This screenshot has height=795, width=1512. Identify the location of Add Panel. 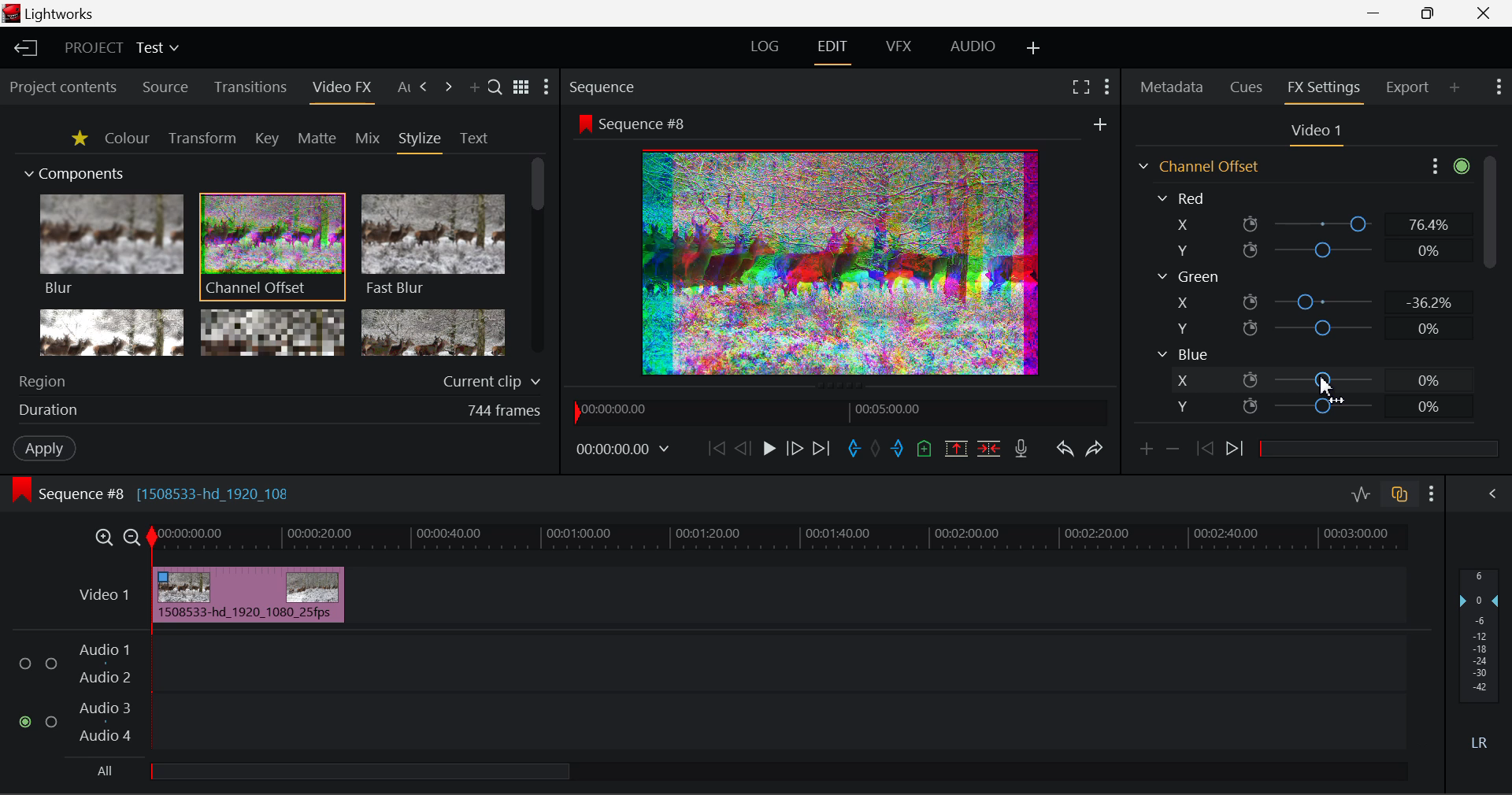
(1454, 88).